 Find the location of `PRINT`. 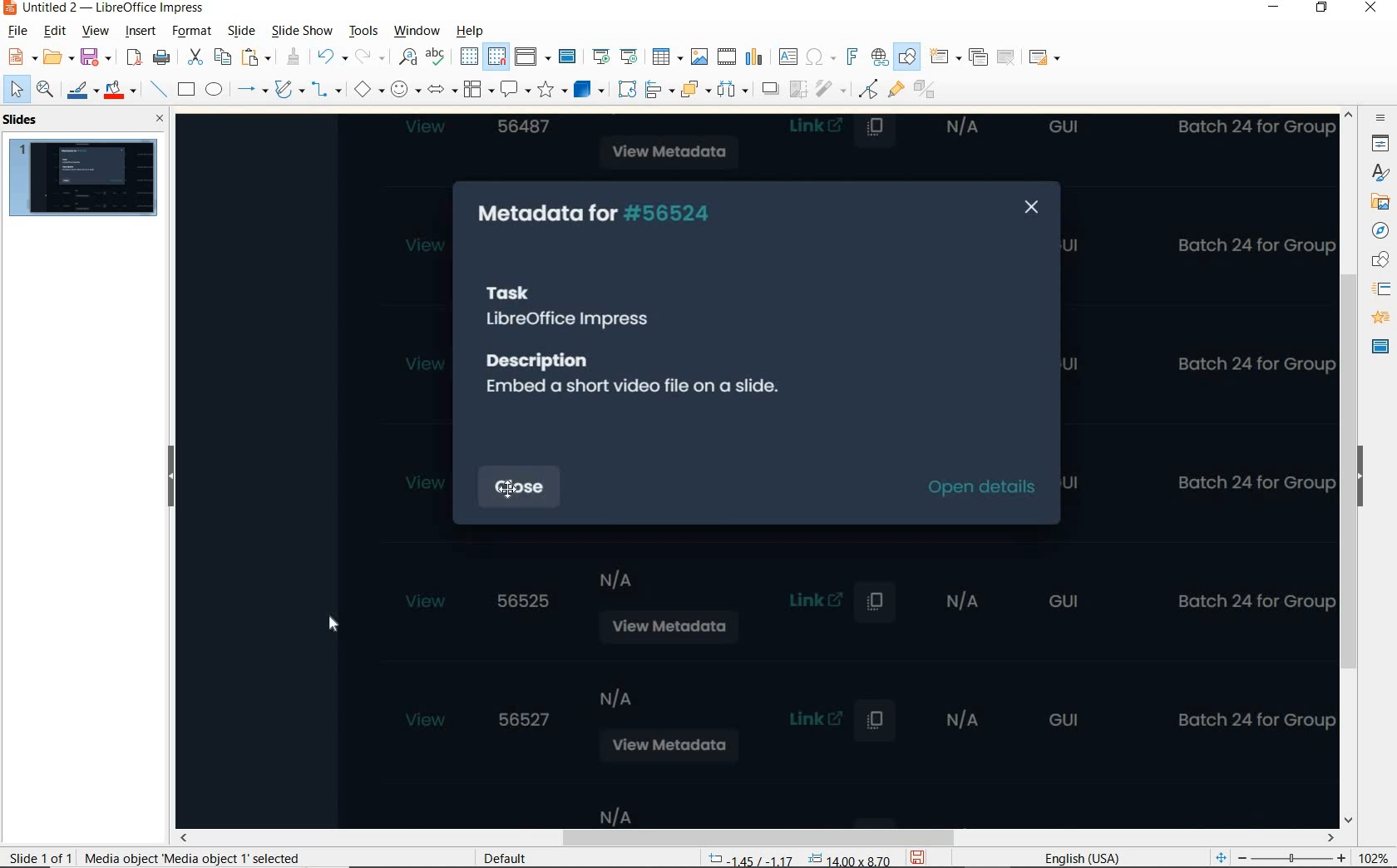

PRINT is located at coordinates (163, 58).